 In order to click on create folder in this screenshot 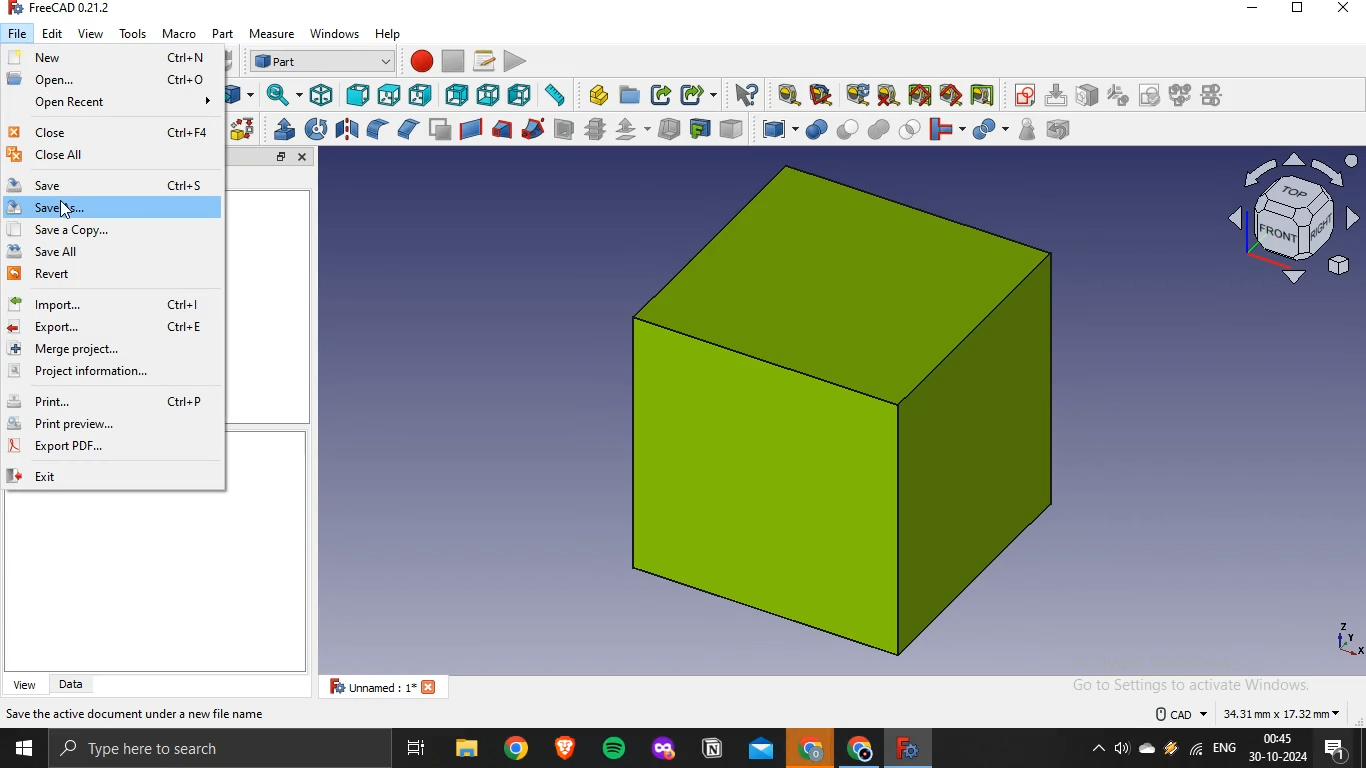, I will do `click(629, 96)`.